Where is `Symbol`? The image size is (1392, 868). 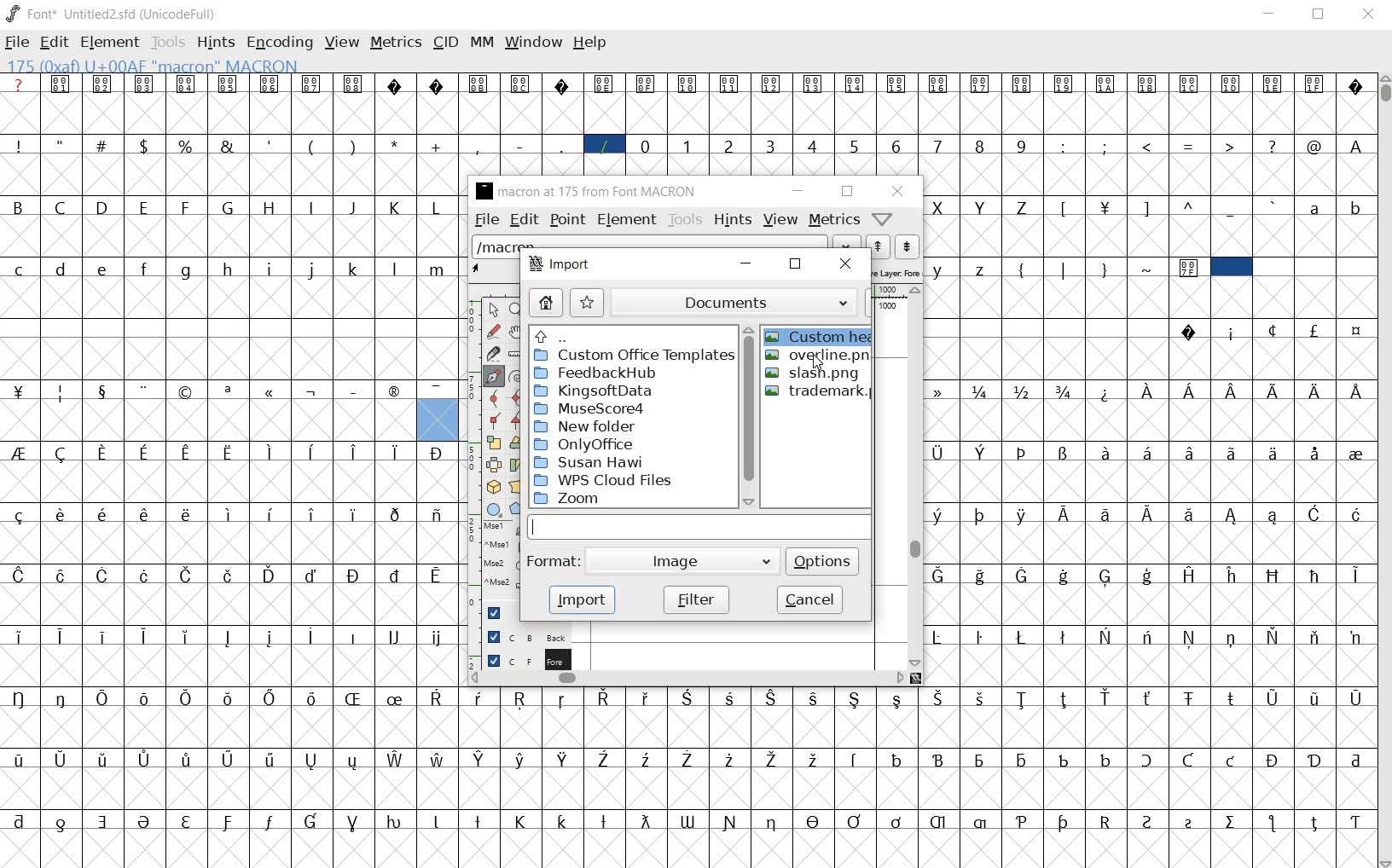
Symbol is located at coordinates (272, 759).